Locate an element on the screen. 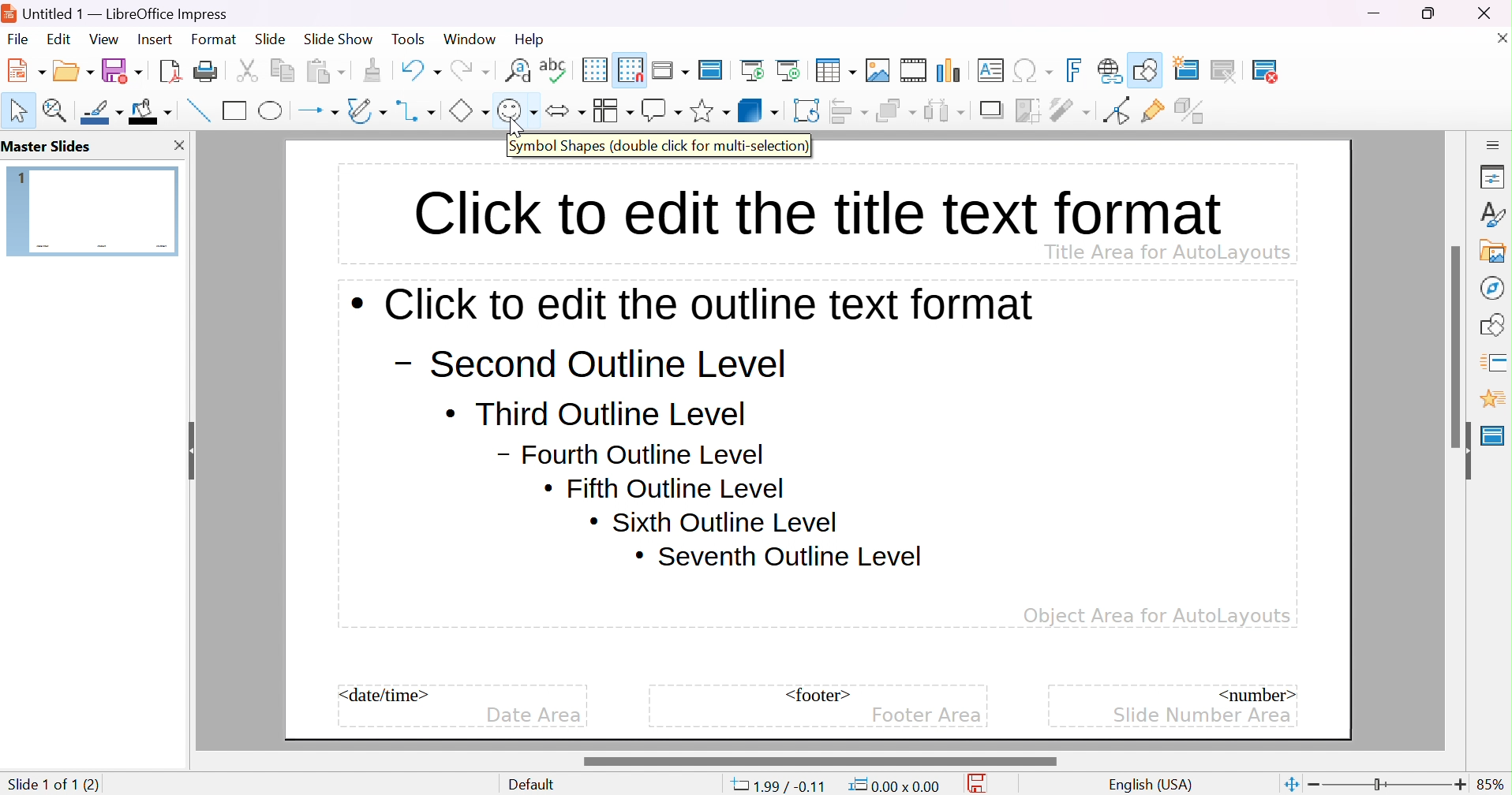 This screenshot has height=795, width=1512. english(USA) is located at coordinates (1151, 785).